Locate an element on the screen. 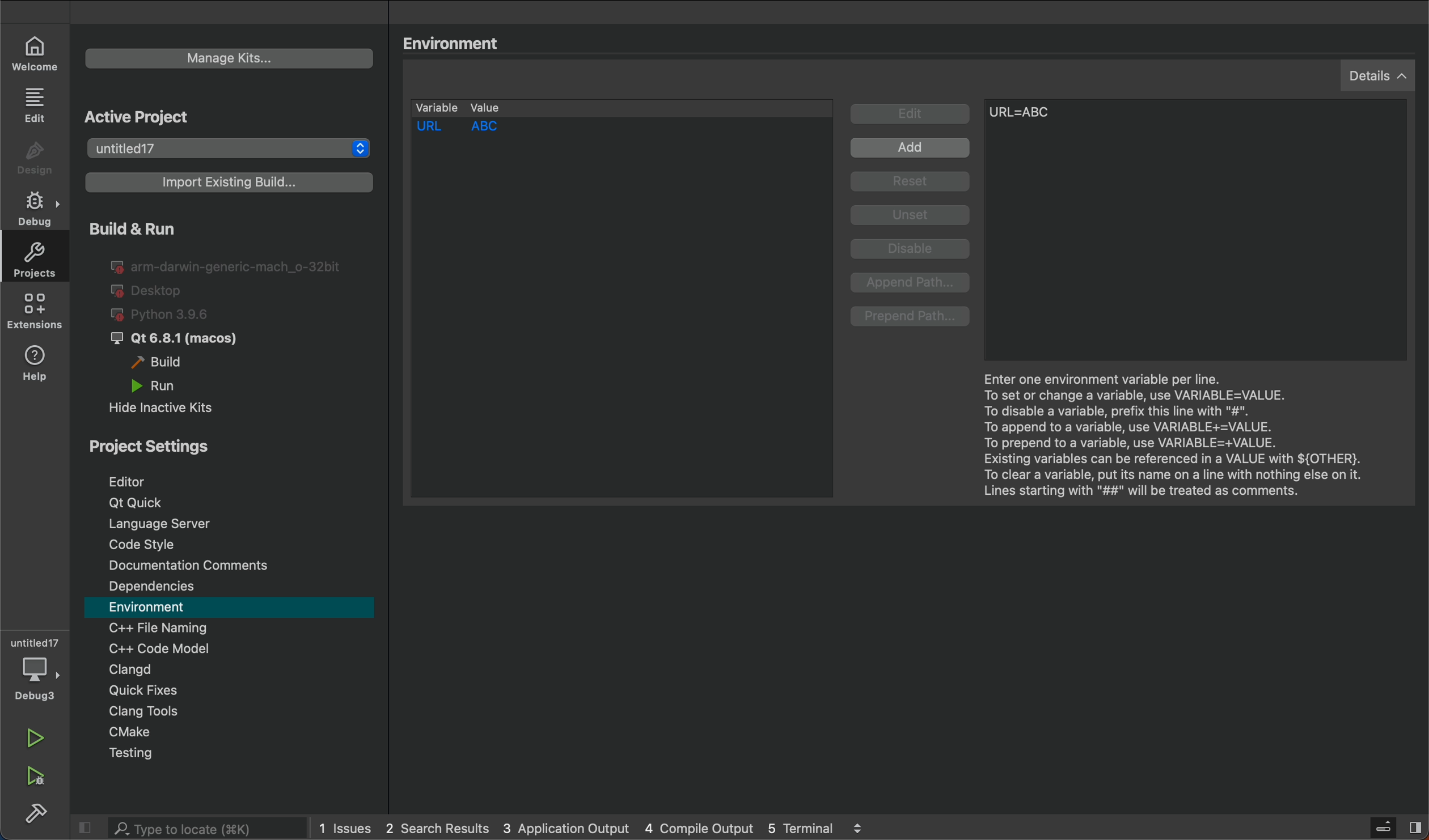 The height and width of the screenshot is (840, 1429). testing is located at coordinates (236, 754).